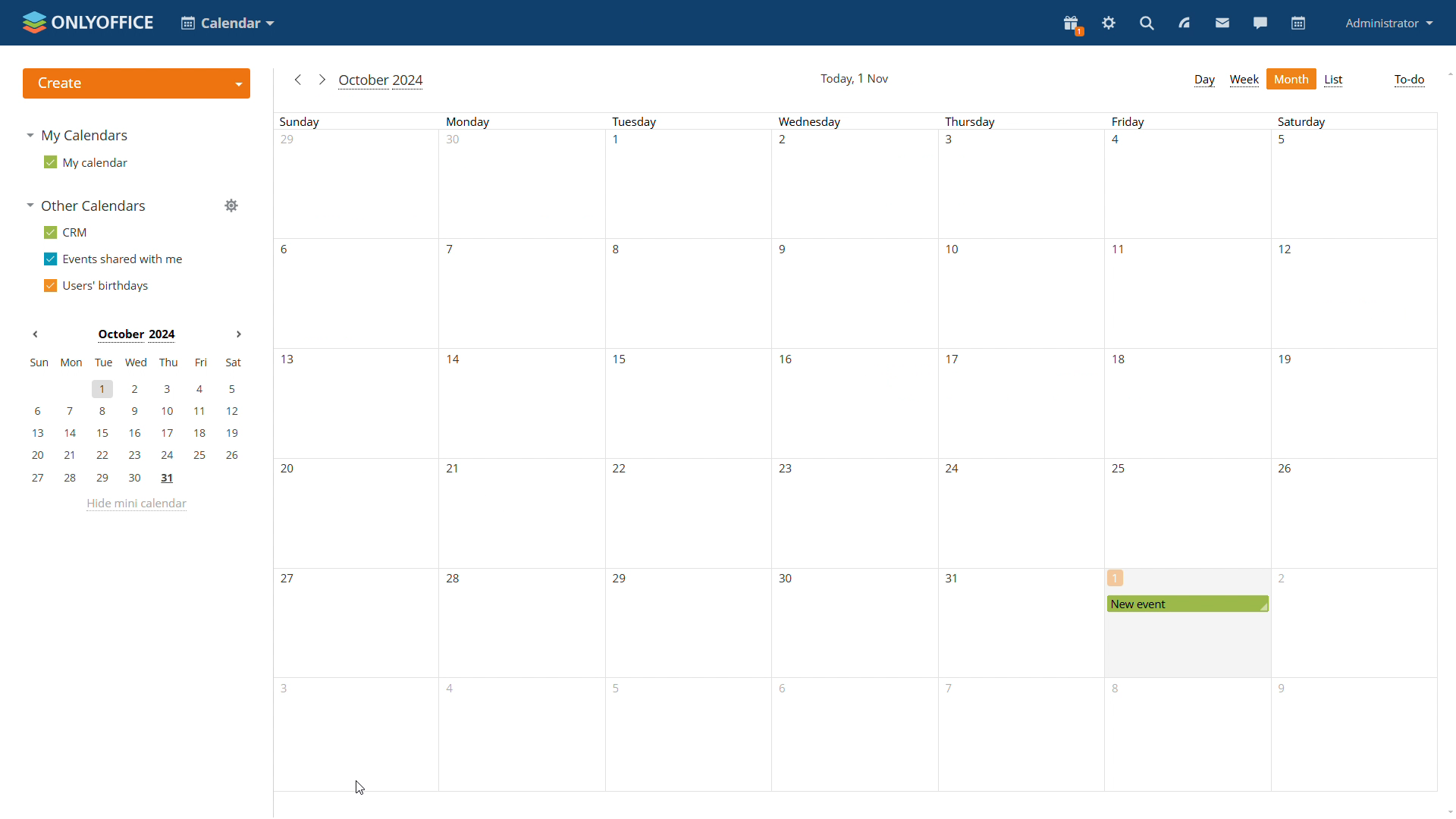 This screenshot has width=1456, height=819. What do you see at coordinates (1389, 23) in the screenshot?
I see `administrator` at bounding box center [1389, 23].